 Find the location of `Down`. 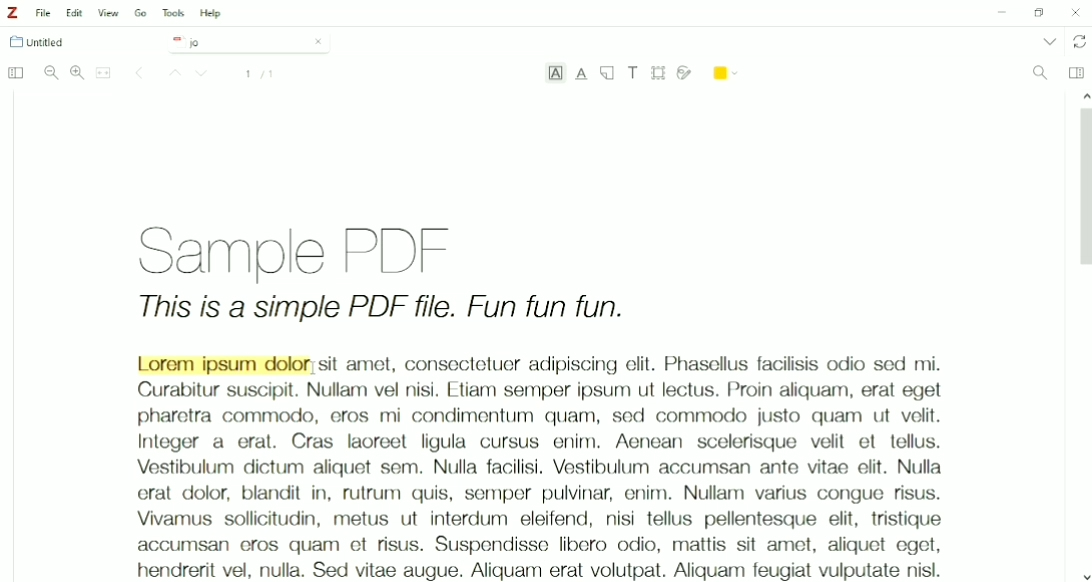

Down is located at coordinates (1085, 575).